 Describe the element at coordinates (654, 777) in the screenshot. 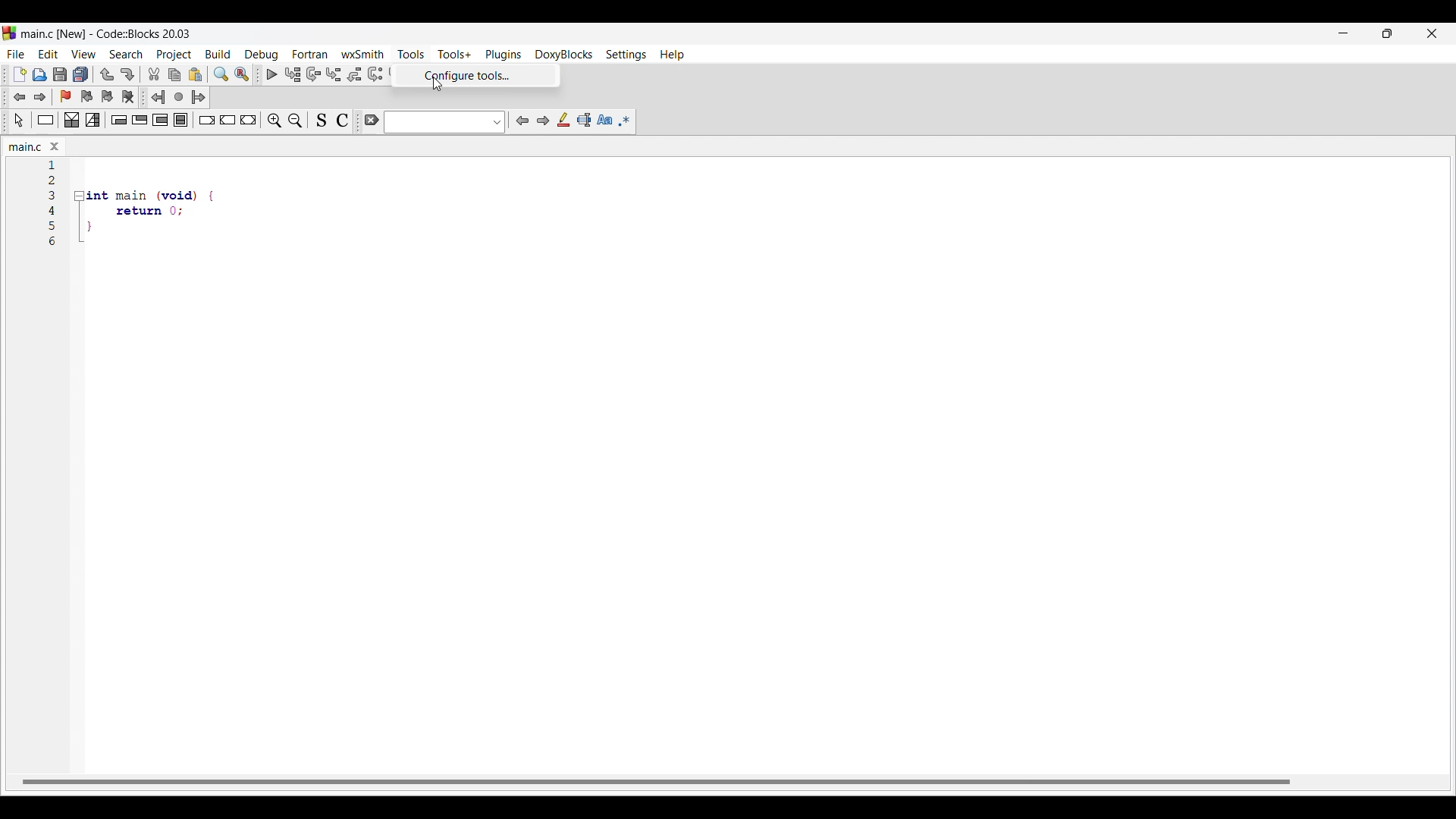

I see `horizontal scroll bar` at that location.